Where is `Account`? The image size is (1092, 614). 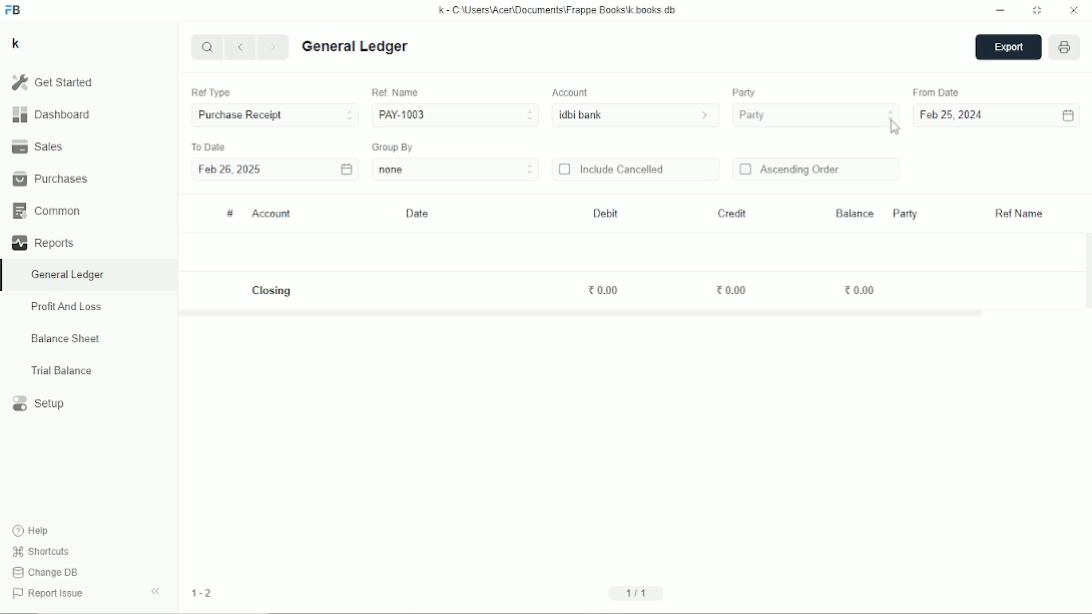 Account is located at coordinates (572, 93).